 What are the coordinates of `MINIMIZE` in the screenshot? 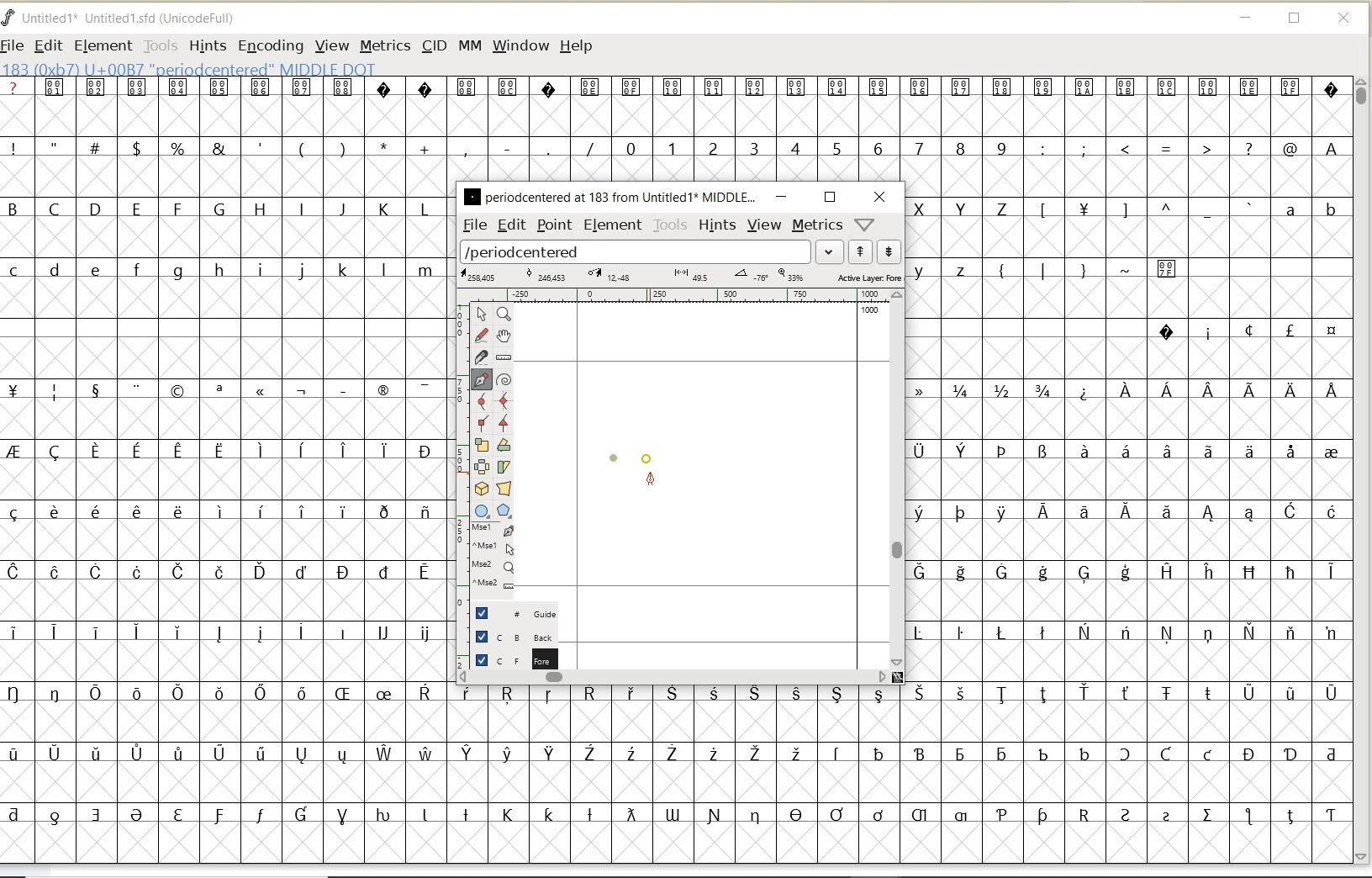 It's located at (1247, 20).